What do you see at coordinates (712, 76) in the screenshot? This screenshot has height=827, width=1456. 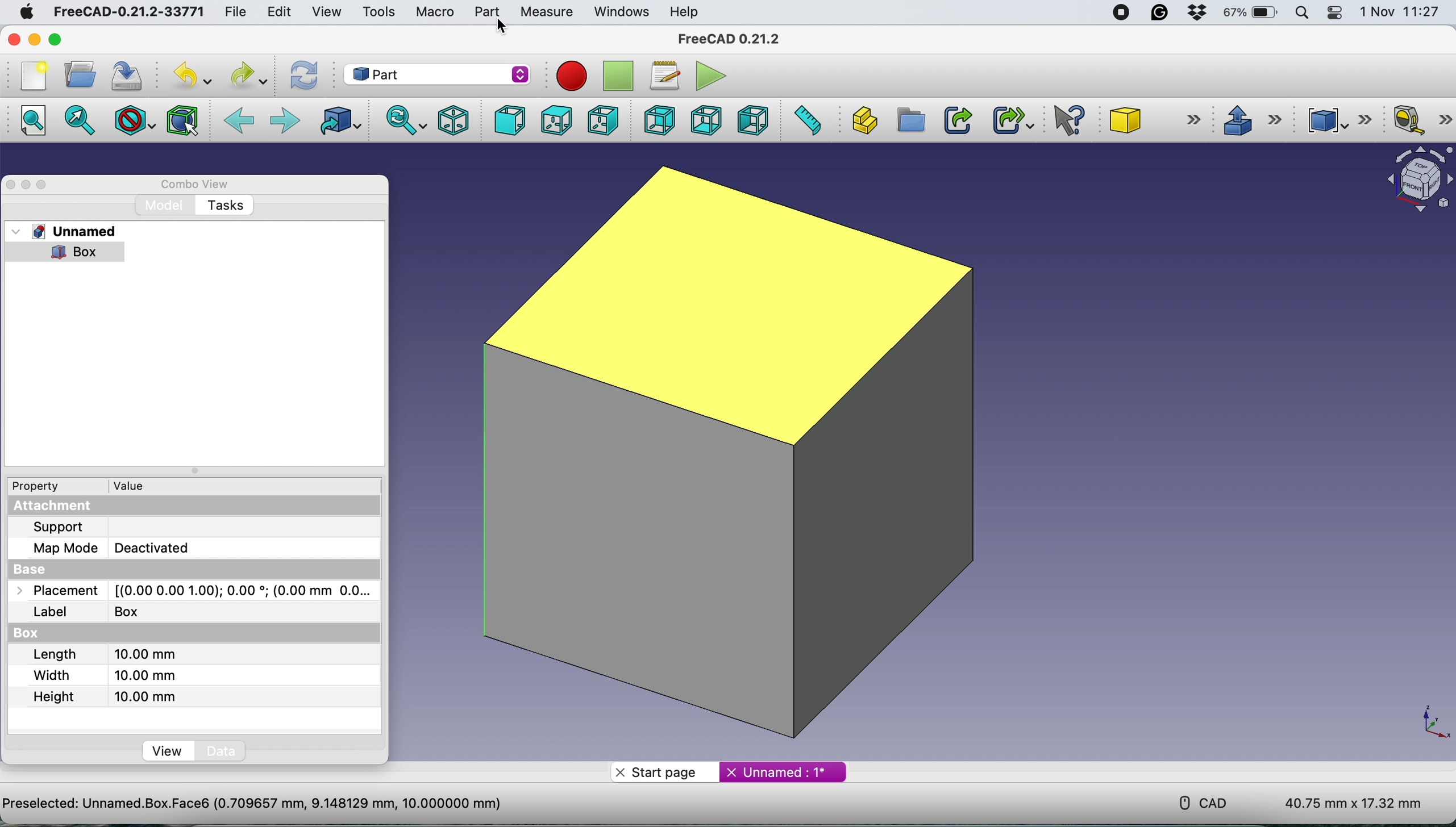 I see `execute macros` at bounding box center [712, 76].